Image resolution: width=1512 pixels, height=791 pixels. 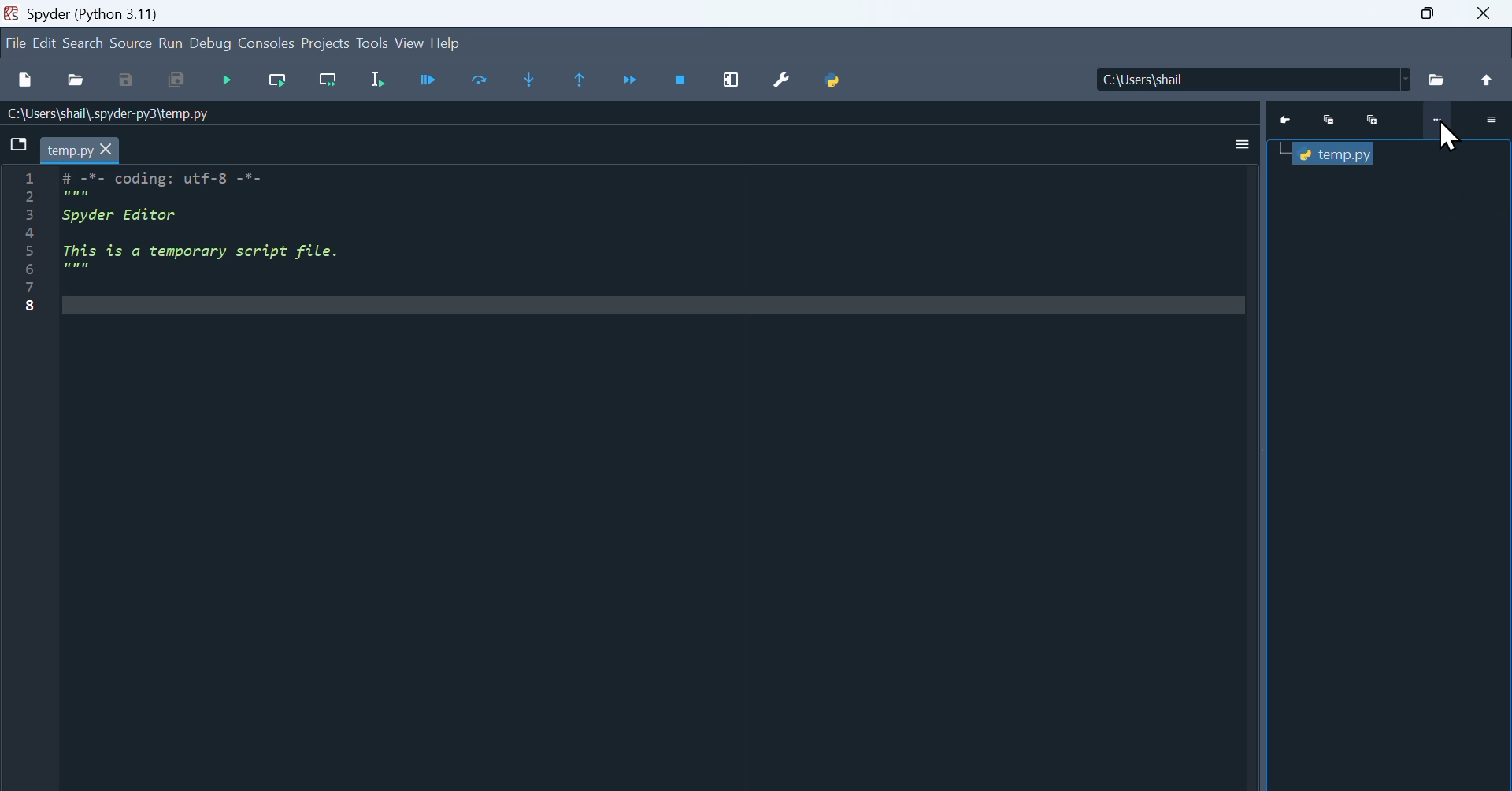 What do you see at coordinates (70, 150) in the screenshot?
I see `temp.py` at bounding box center [70, 150].